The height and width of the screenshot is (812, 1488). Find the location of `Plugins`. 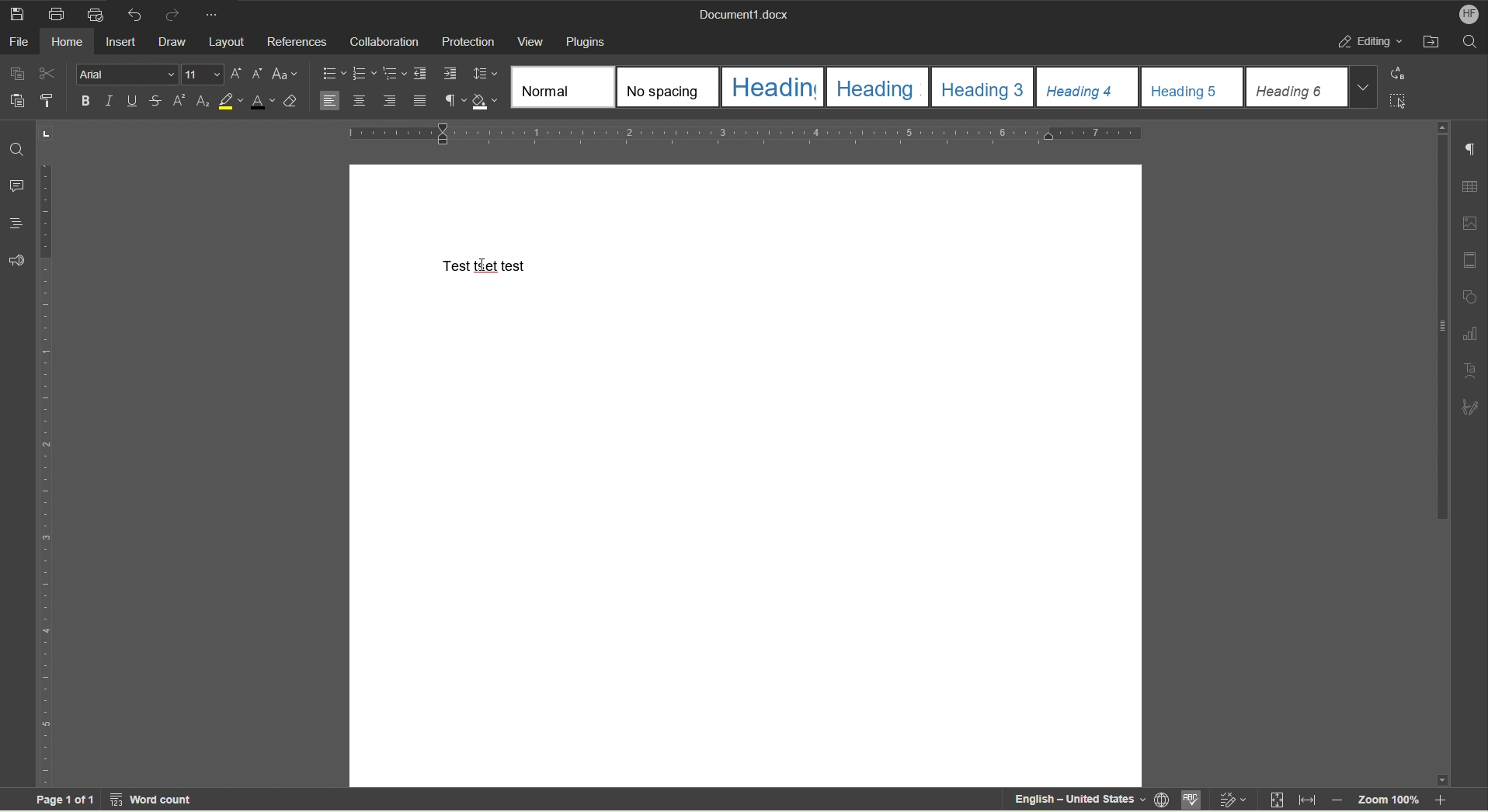

Plugins is located at coordinates (584, 41).